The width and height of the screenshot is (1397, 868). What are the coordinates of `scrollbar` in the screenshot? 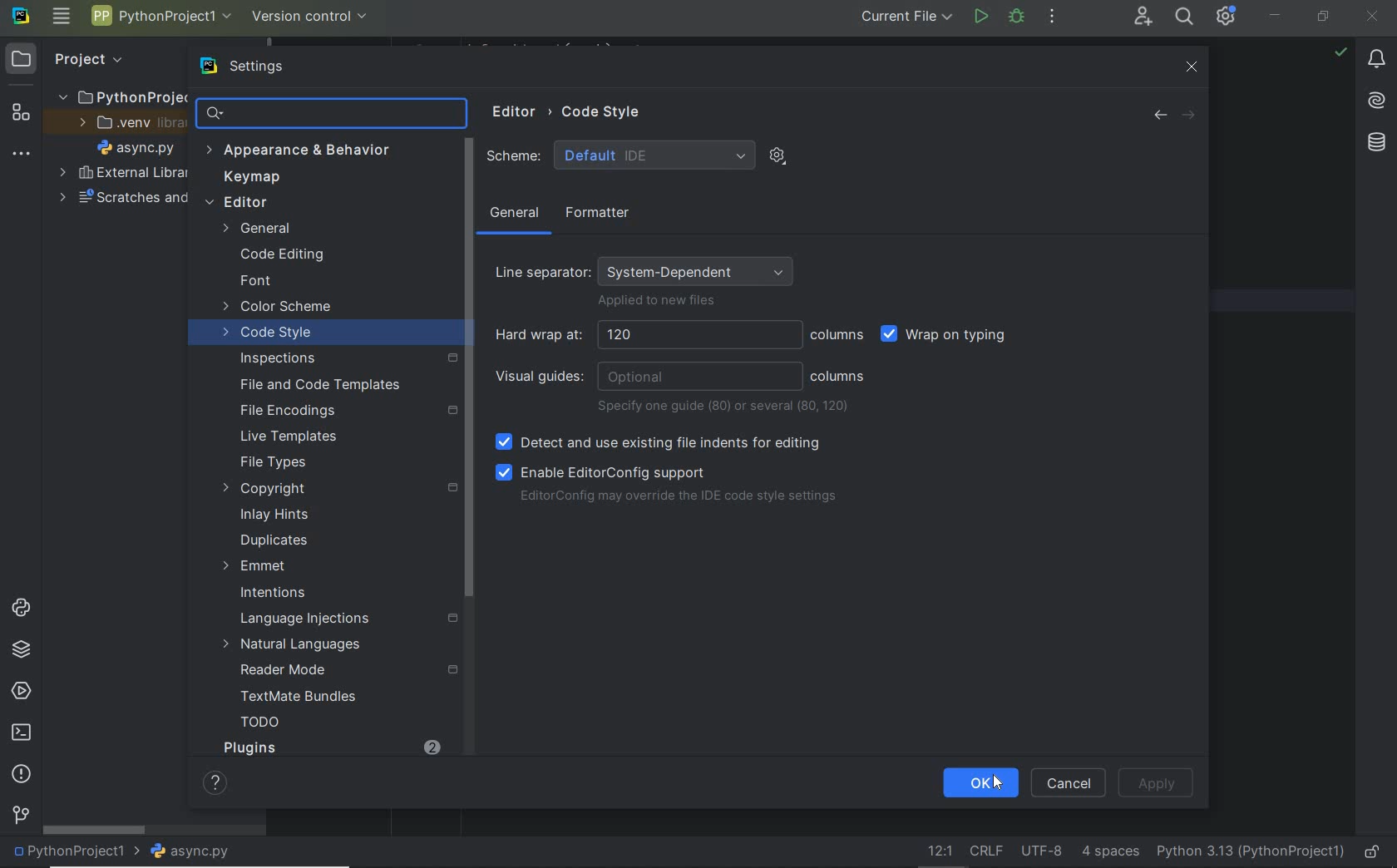 It's located at (96, 831).